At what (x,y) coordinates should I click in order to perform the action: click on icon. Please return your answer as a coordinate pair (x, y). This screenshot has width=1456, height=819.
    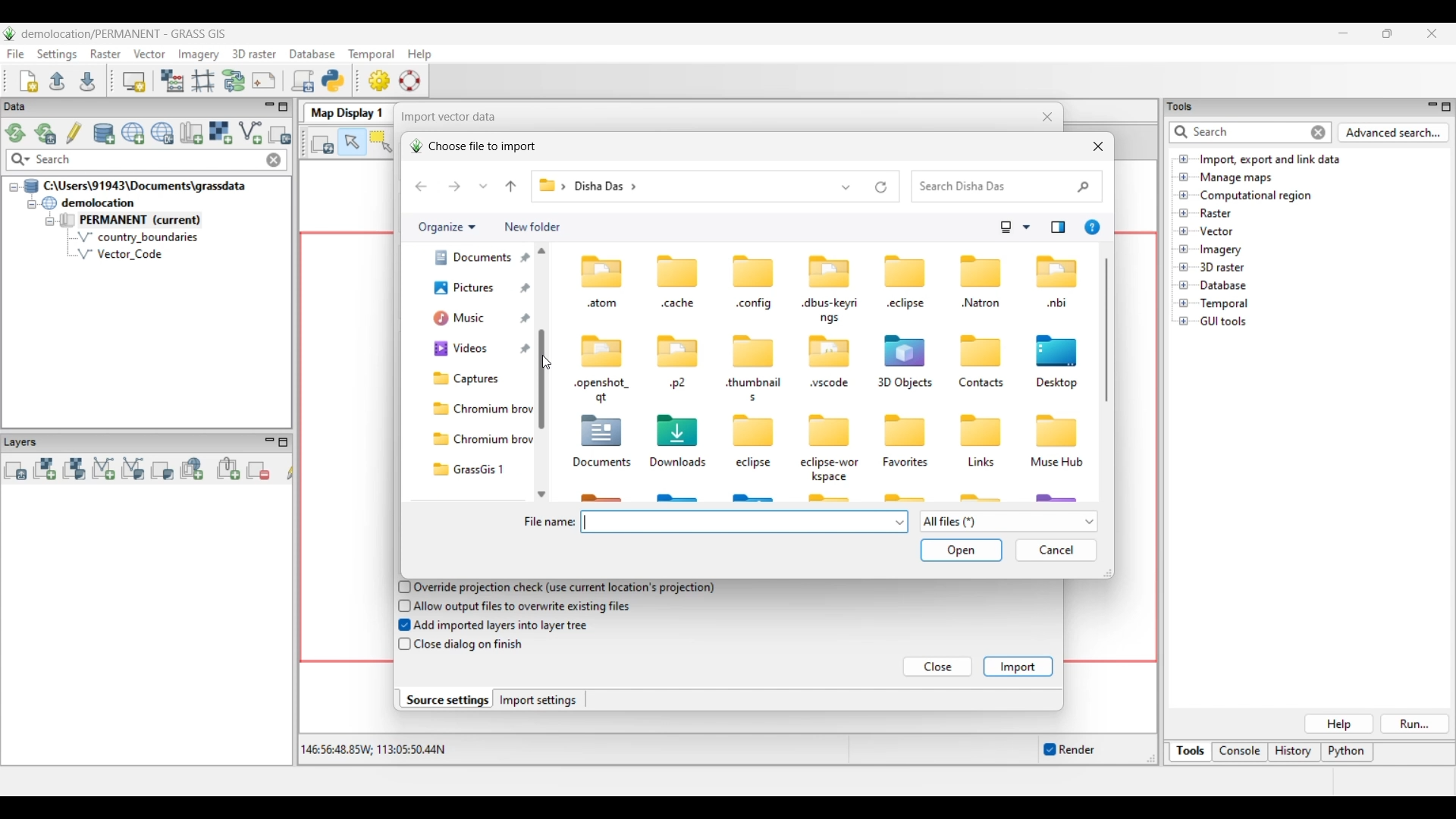
    Looking at the image, I should click on (830, 431).